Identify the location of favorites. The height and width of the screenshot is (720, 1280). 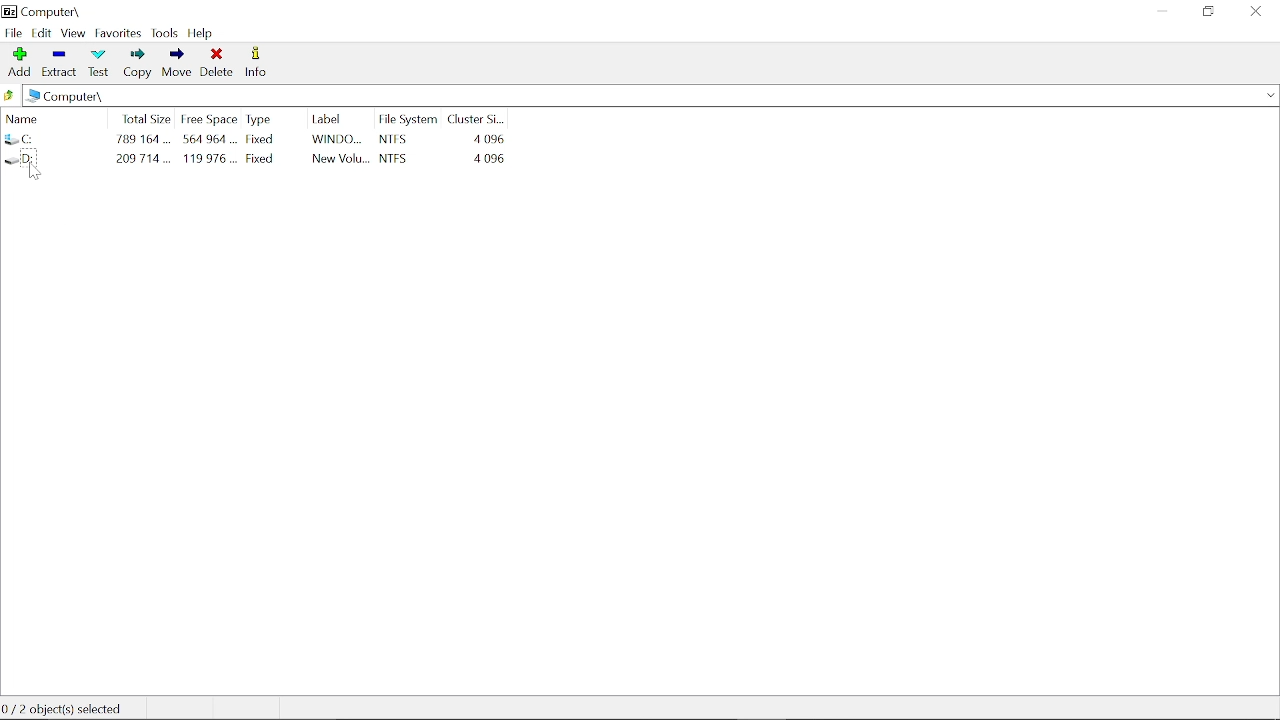
(119, 33).